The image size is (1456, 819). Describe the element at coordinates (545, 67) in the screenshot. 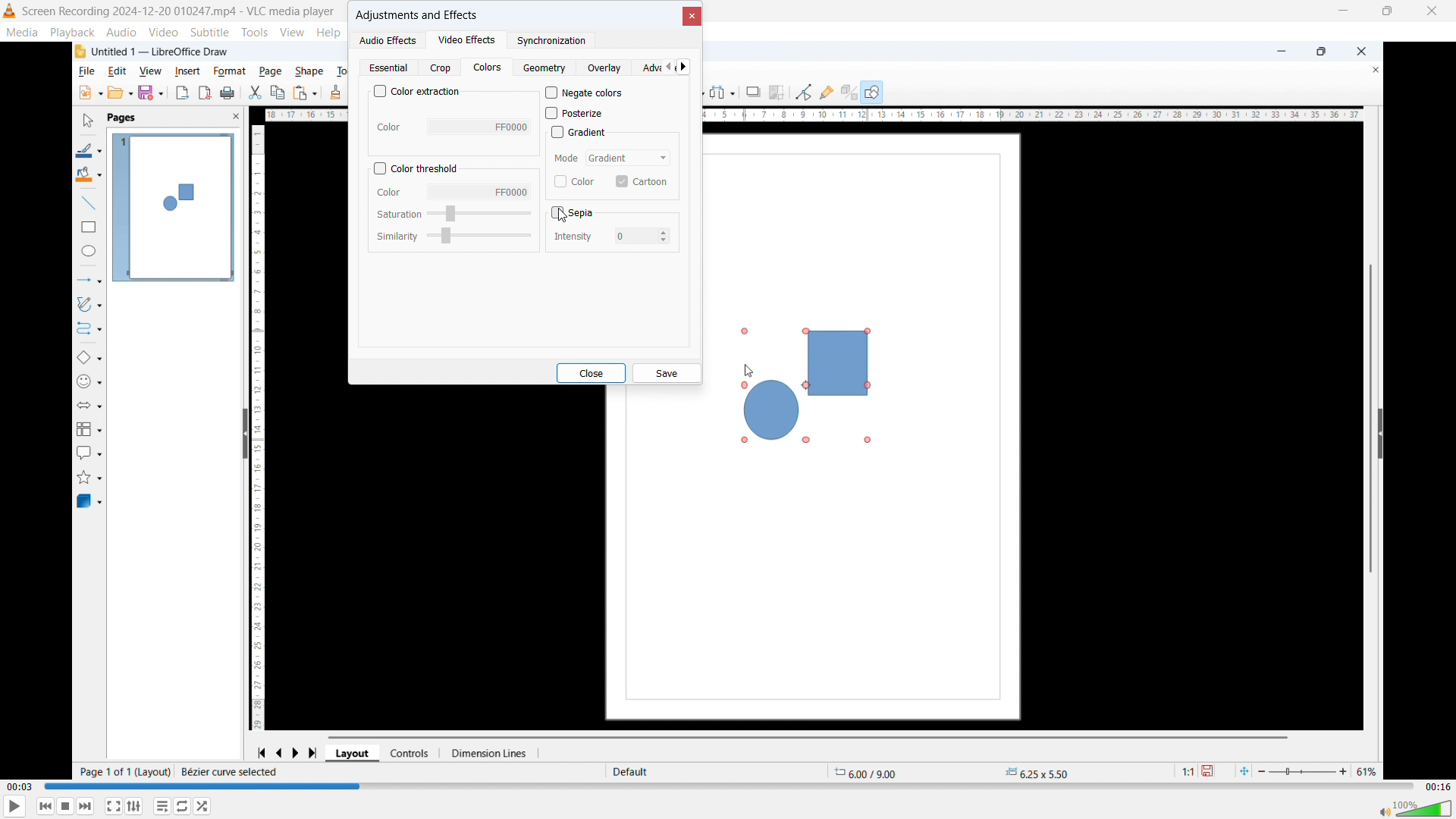

I see `Geometry ` at that location.